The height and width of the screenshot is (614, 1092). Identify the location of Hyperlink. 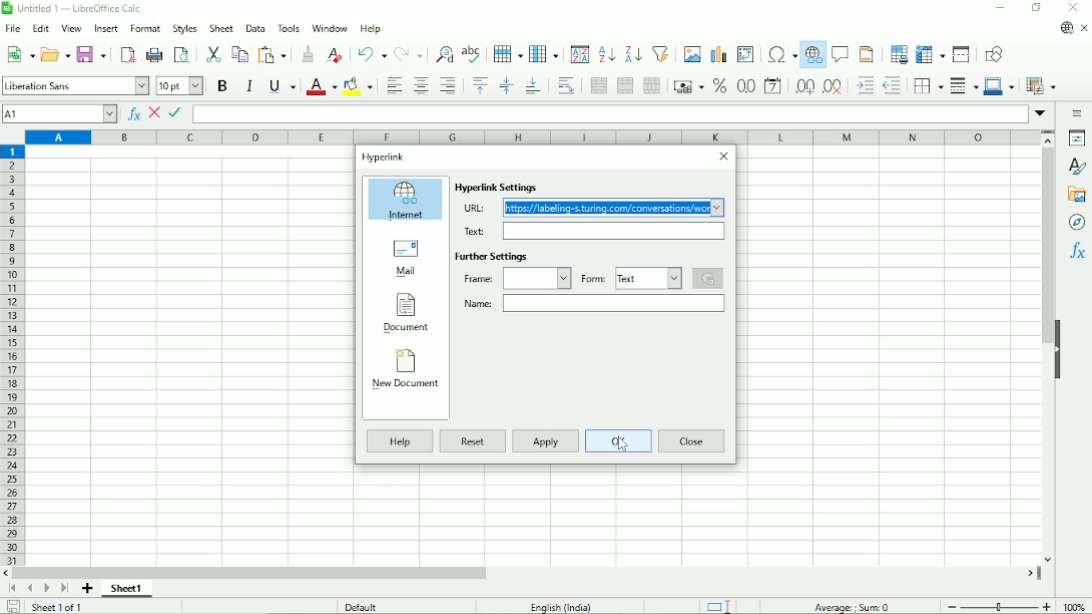
(385, 158).